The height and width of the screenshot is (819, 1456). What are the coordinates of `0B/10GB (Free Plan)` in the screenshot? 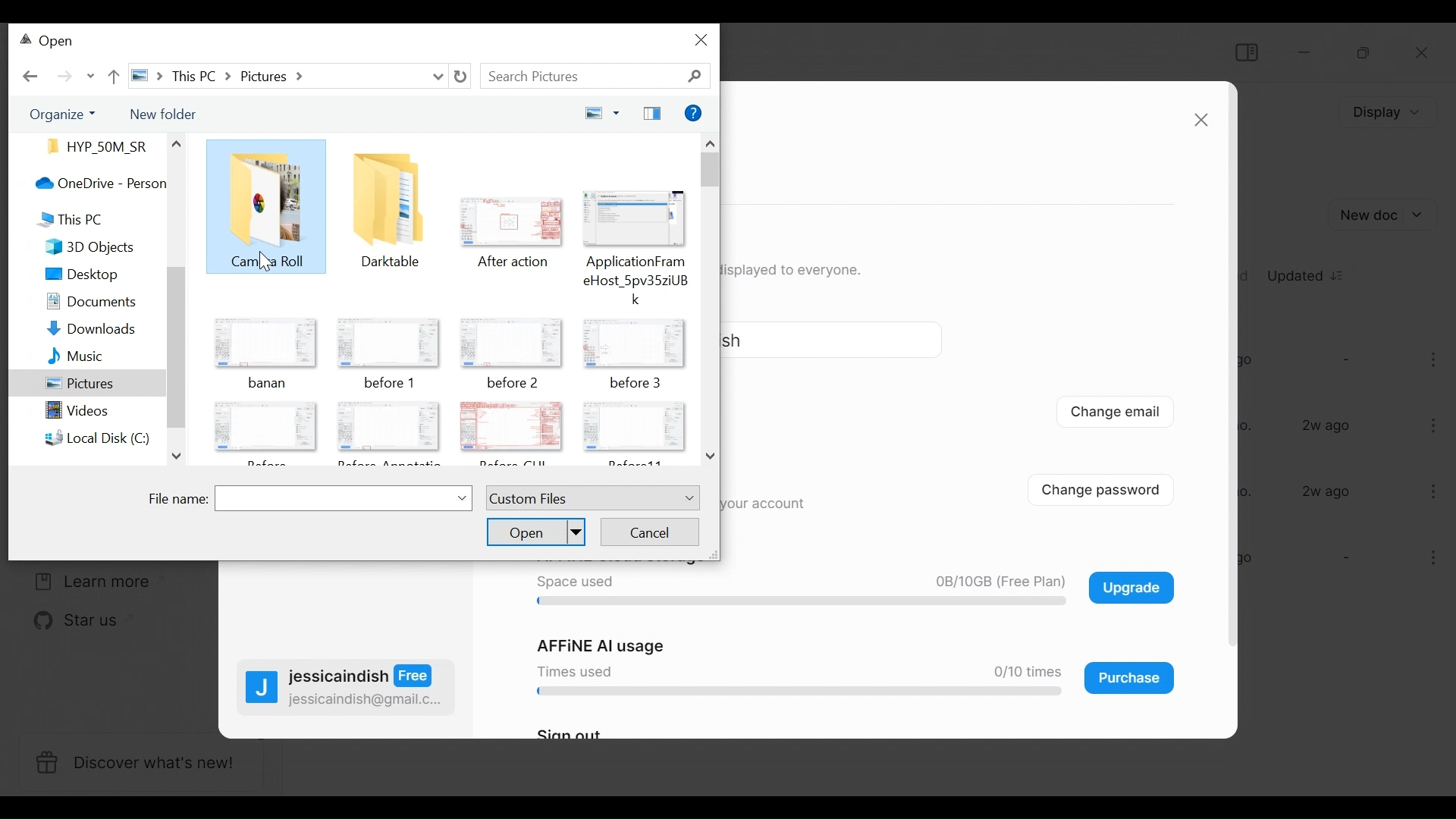 It's located at (995, 582).